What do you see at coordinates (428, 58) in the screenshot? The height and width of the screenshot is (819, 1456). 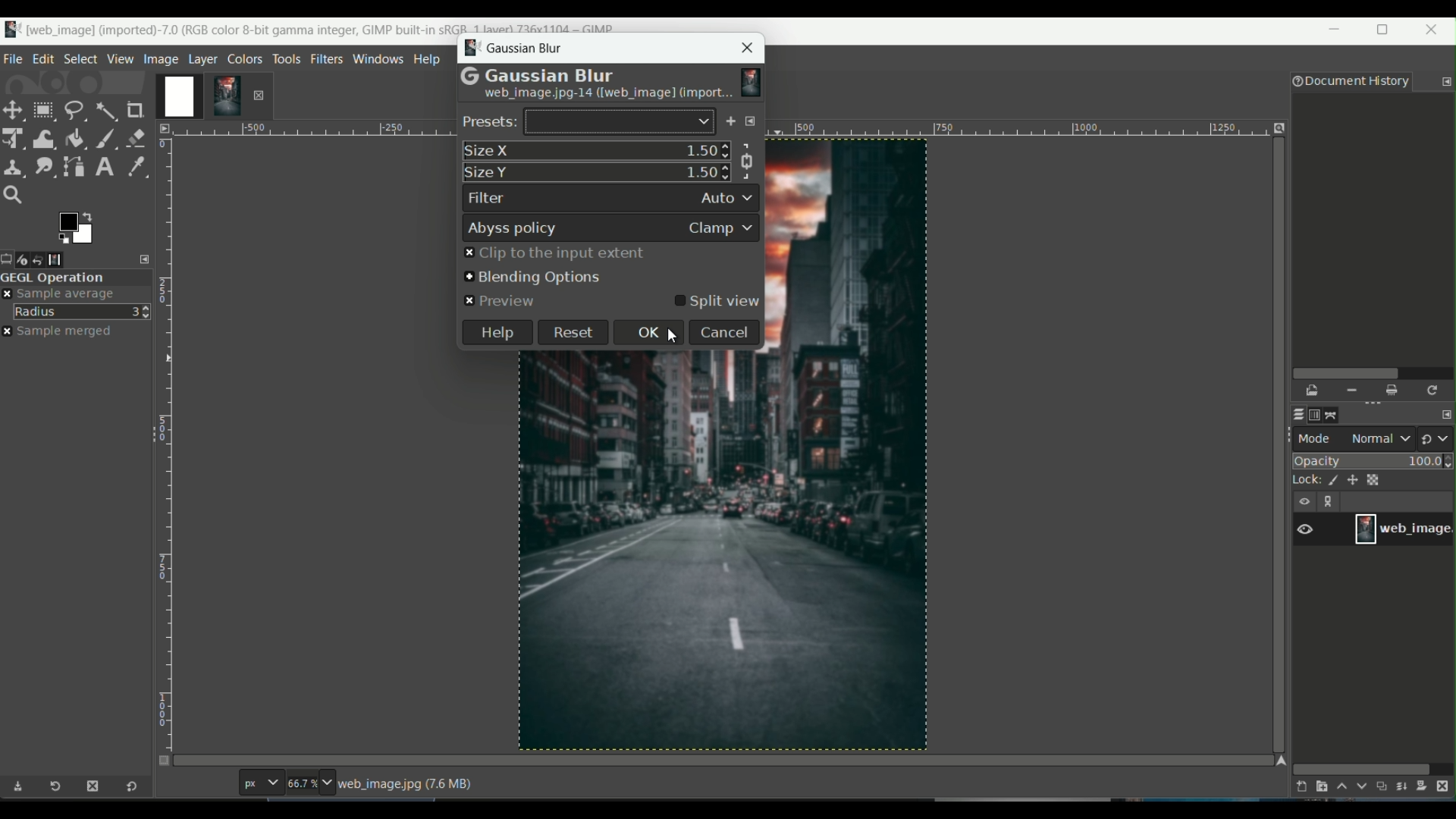 I see `help tab` at bounding box center [428, 58].